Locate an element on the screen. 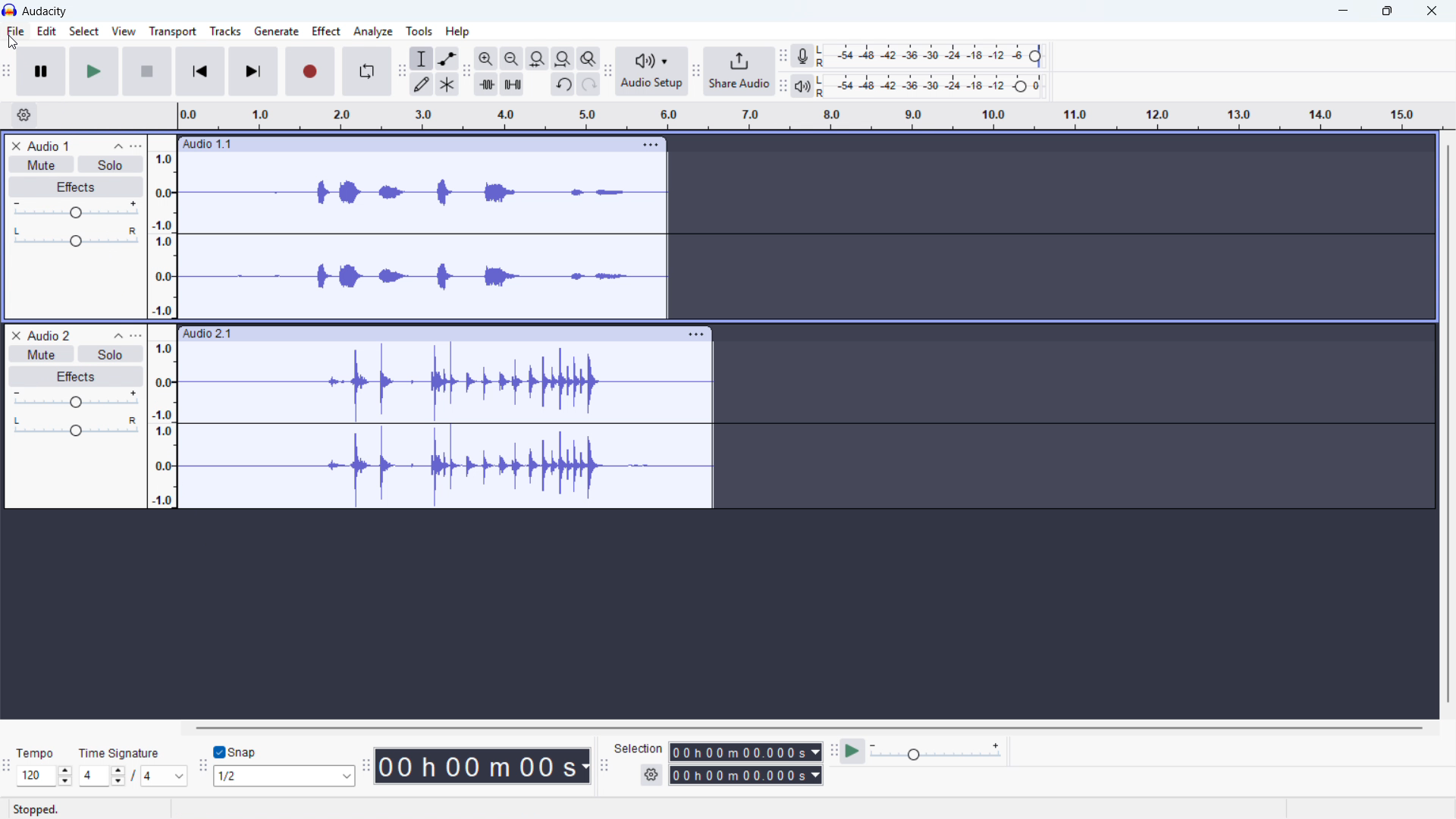 Image resolution: width=1456 pixels, height=819 pixels. Effects  is located at coordinates (76, 377).